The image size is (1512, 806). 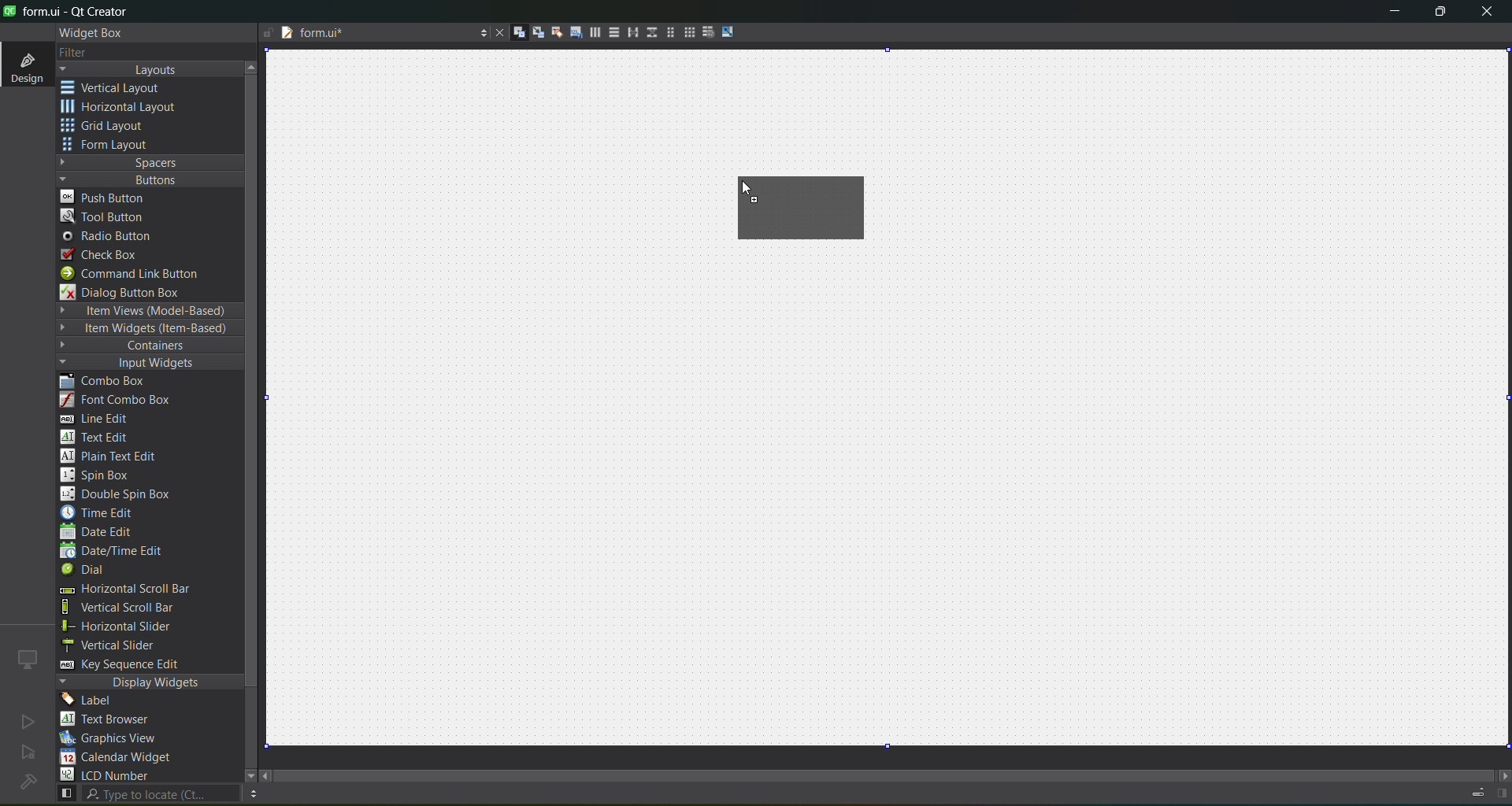 I want to click on break layout, so click(x=704, y=33).